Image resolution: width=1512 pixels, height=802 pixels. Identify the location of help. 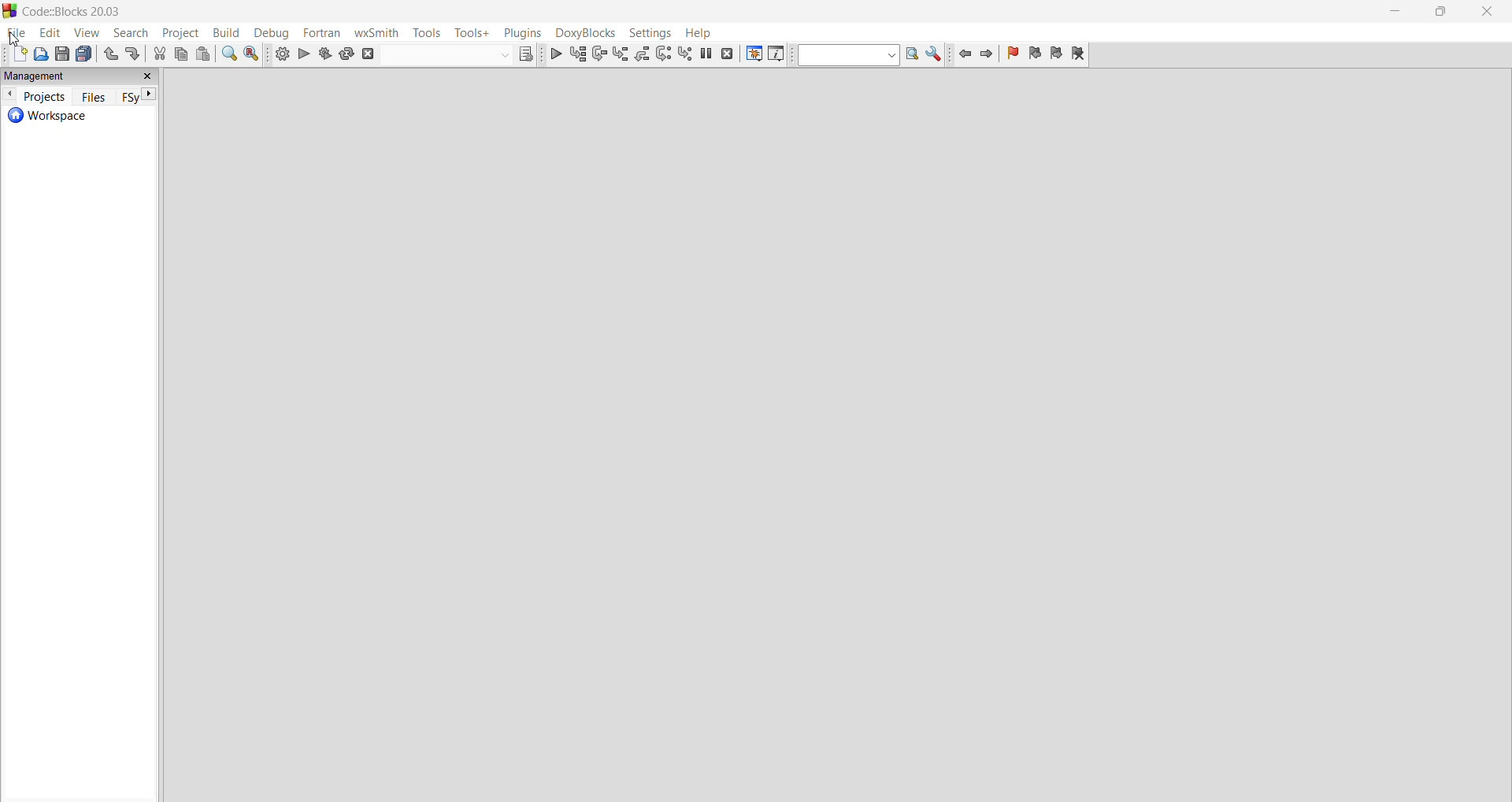
(696, 32).